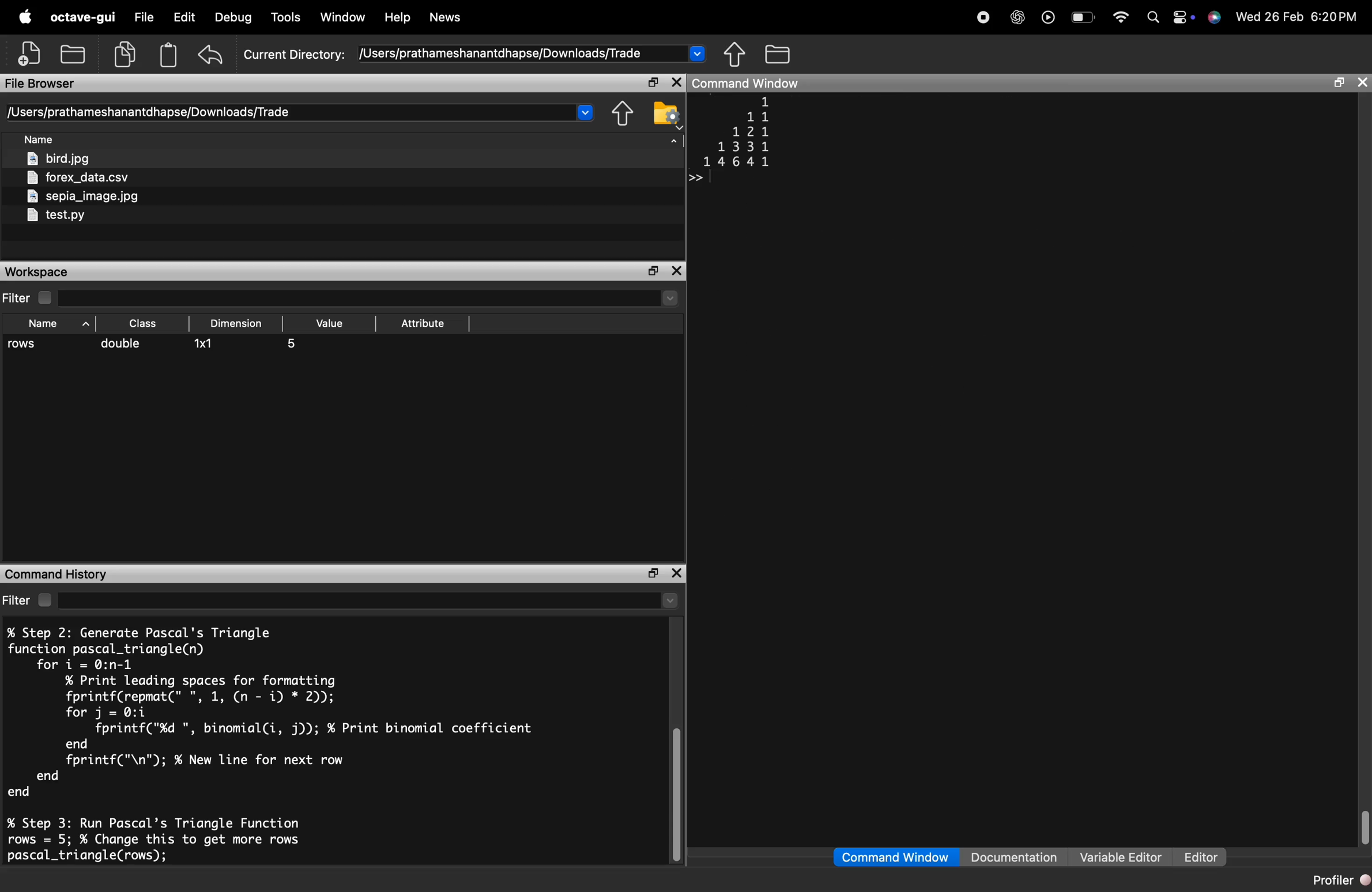  Describe the element at coordinates (1049, 17) in the screenshot. I see `run` at that location.